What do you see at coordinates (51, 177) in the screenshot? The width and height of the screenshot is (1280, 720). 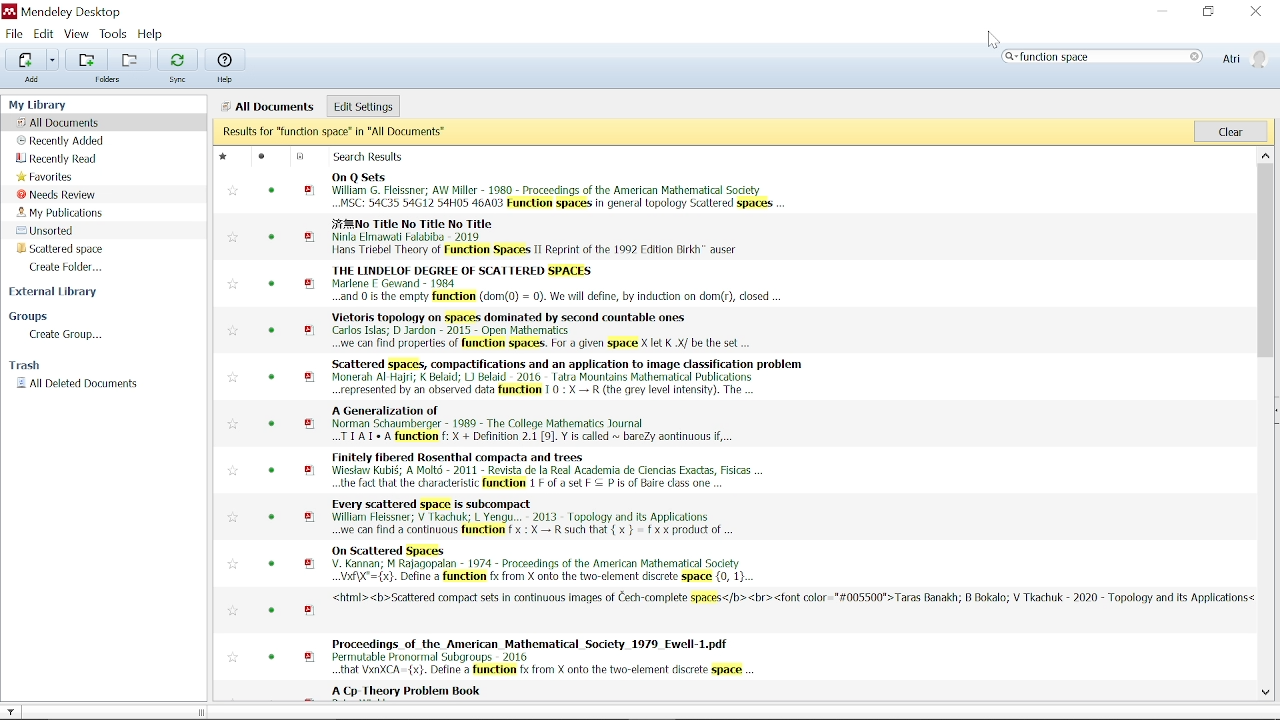 I see `Favorites` at bounding box center [51, 177].